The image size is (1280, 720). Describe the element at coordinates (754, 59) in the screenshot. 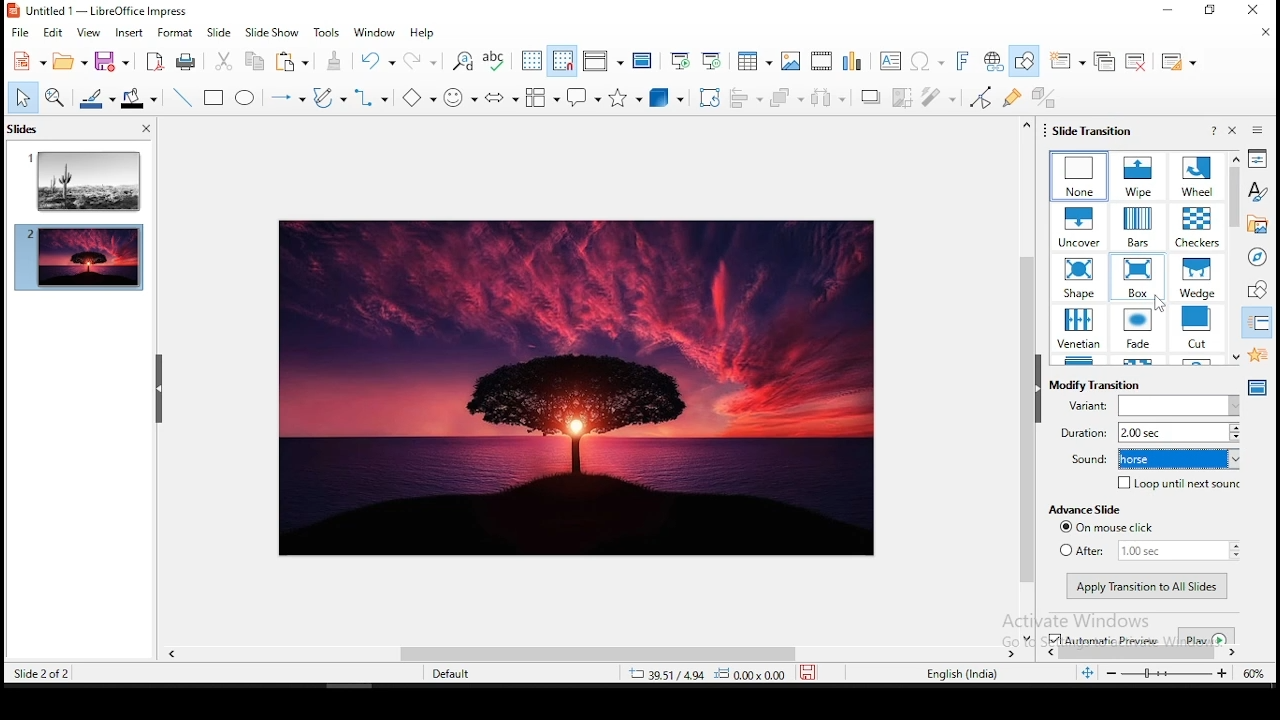

I see `tables` at that location.